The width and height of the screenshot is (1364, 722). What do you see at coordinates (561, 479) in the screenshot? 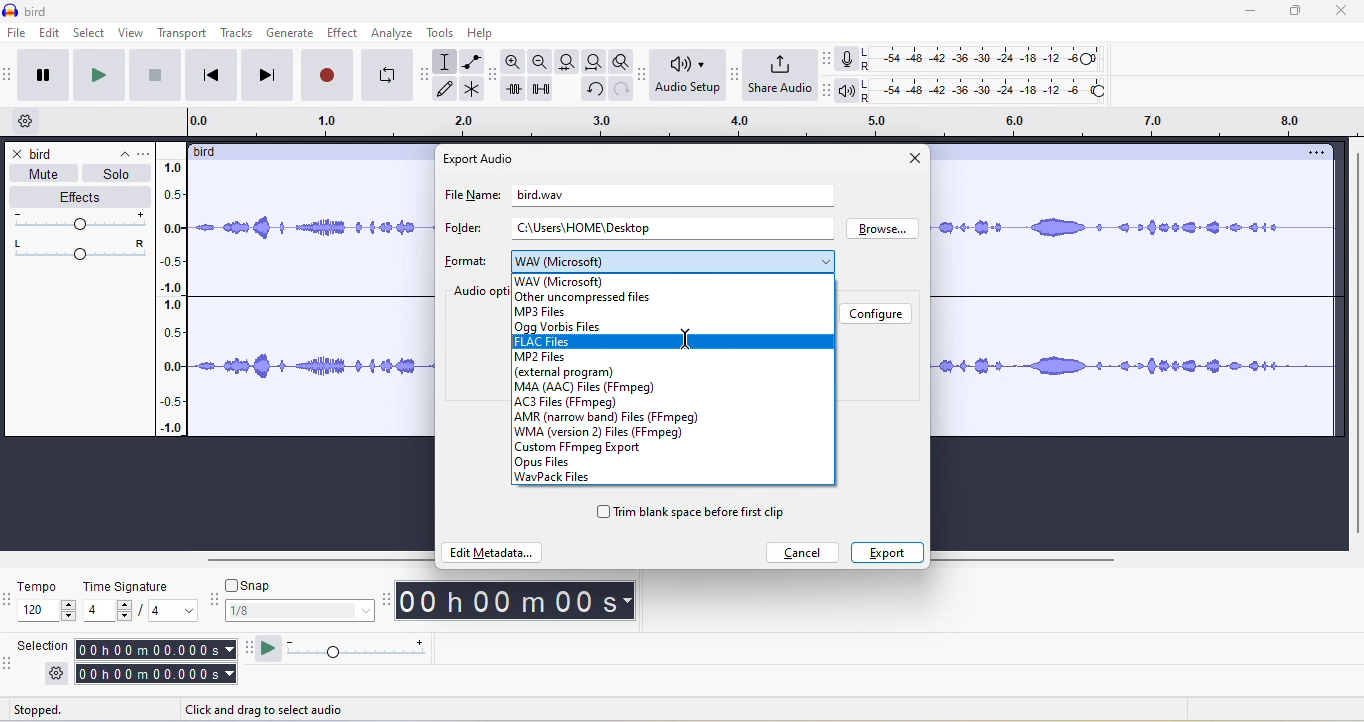
I see `wavpack files` at bounding box center [561, 479].